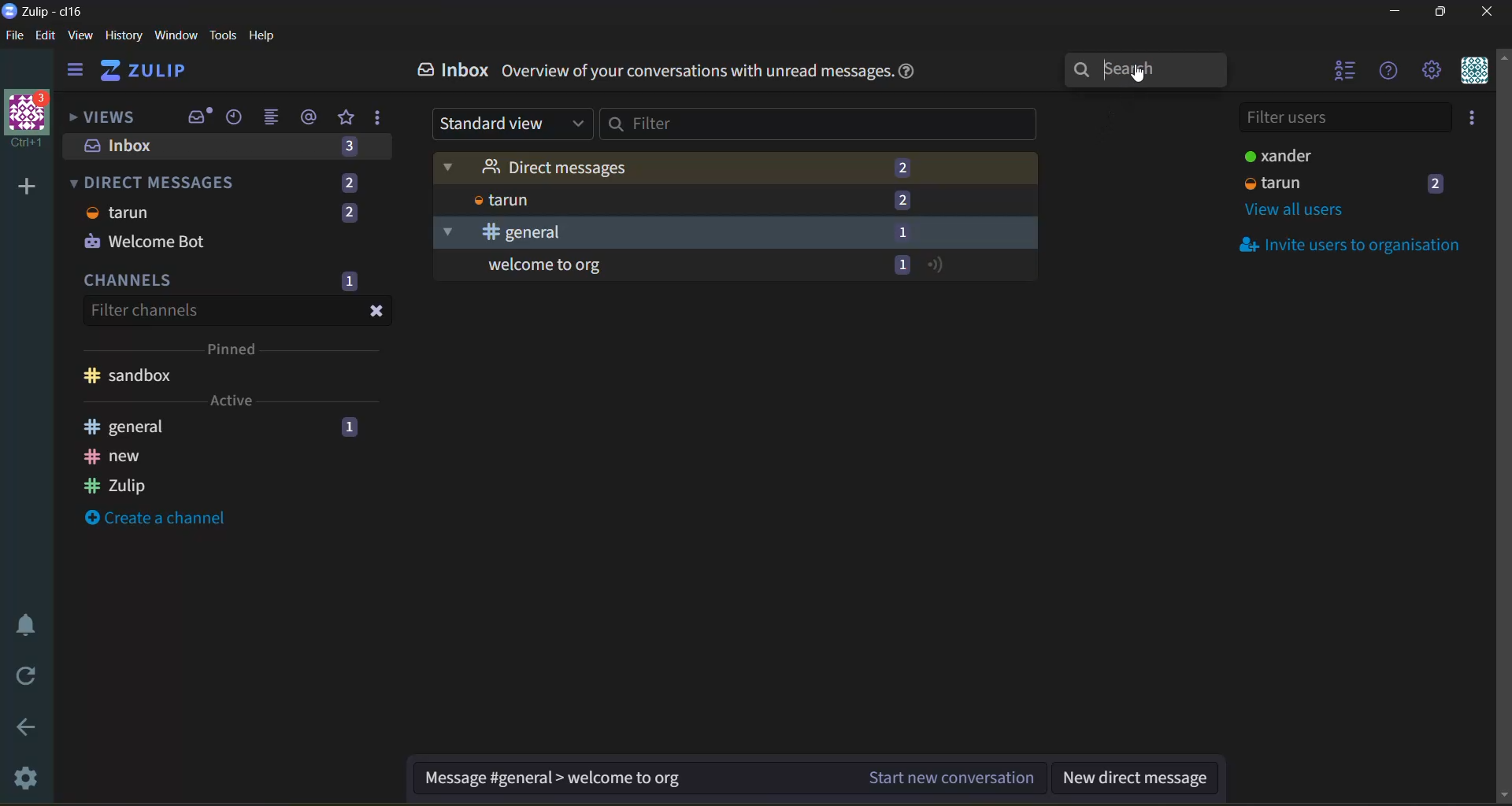 The width and height of the screenshot is (1512, 806). I want to click on standard view, so click(510, 124).